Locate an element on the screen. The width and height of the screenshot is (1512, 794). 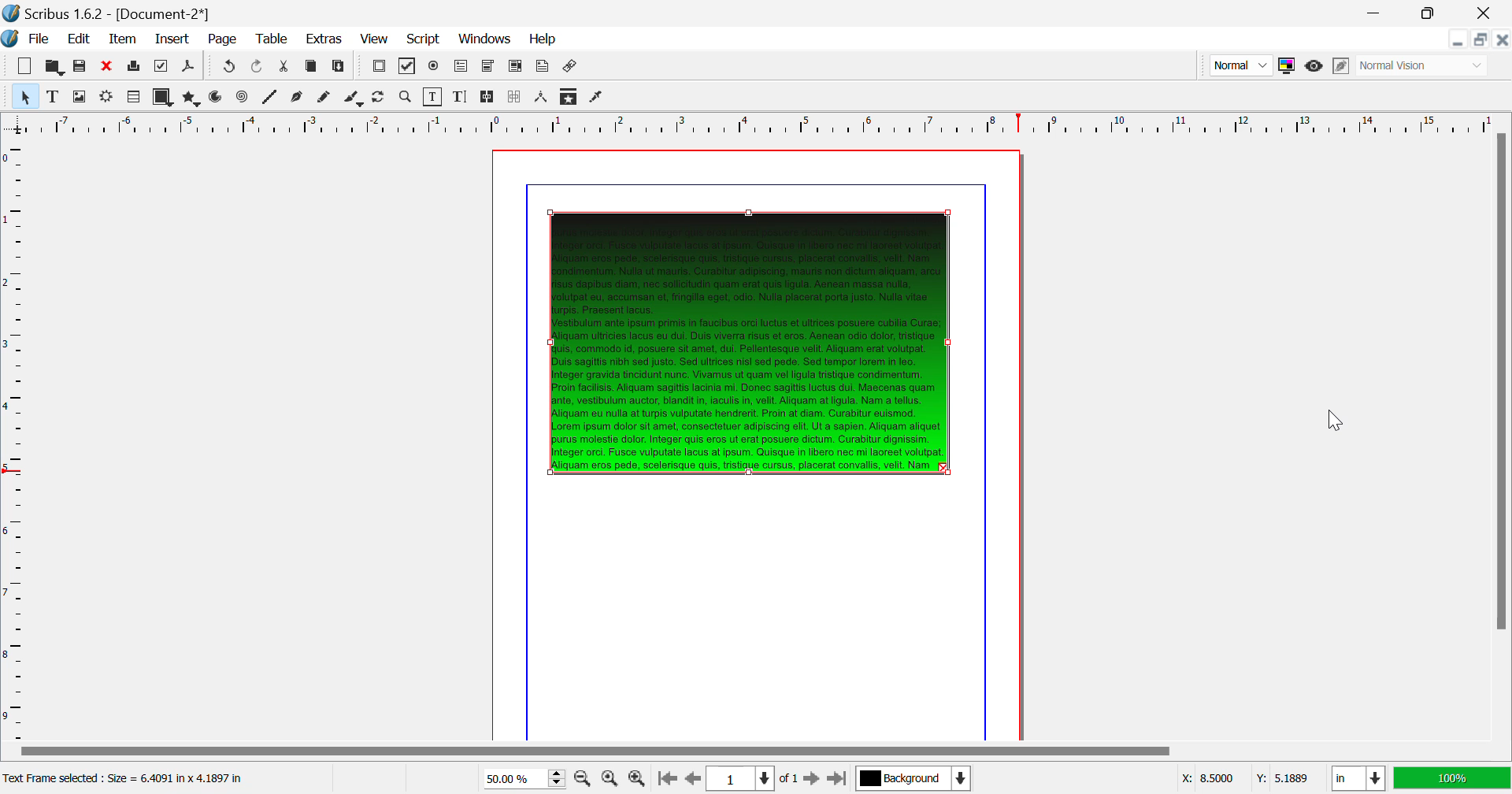
Text frame with vertical gradient is located at coordinates (750, 343).